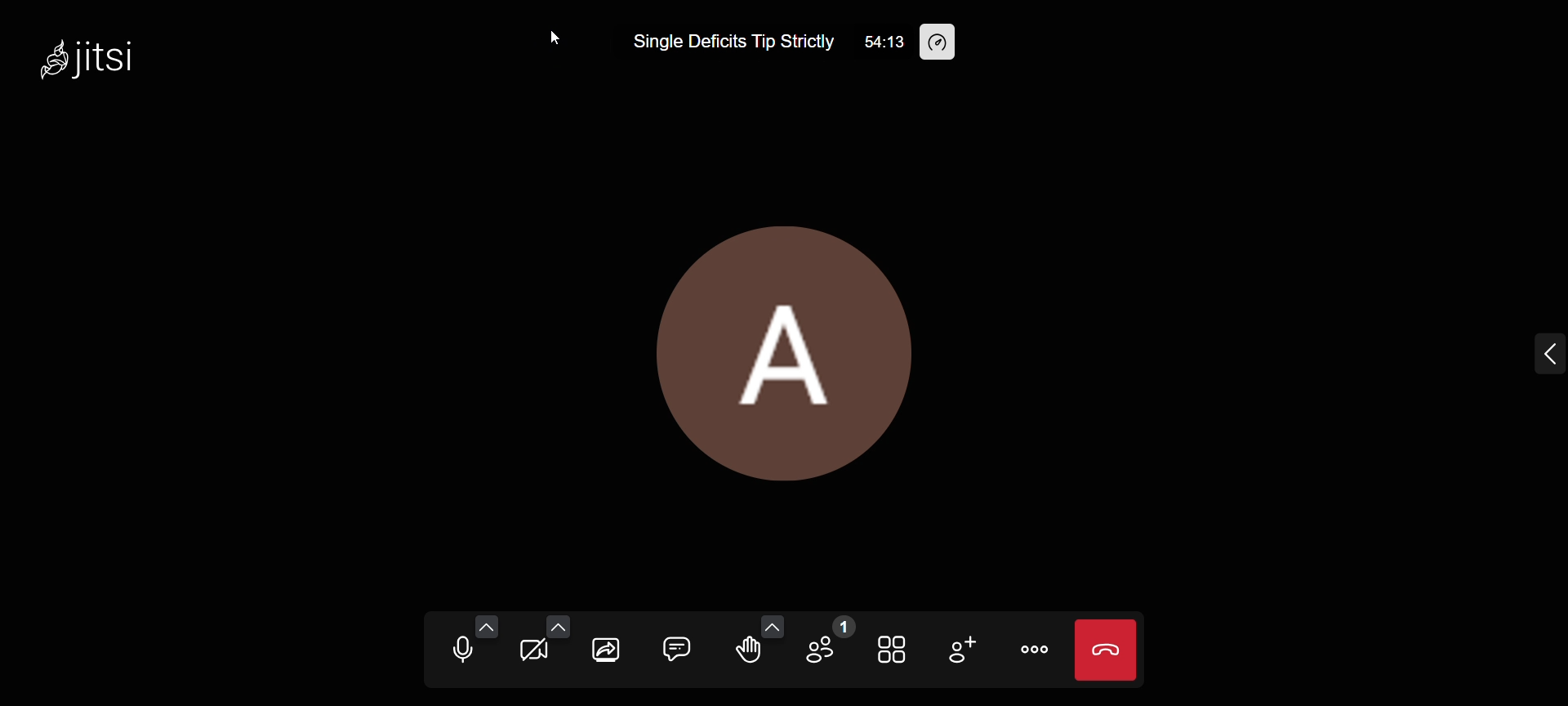  What do you see at coordinates (104, 64) in the screenshot?
I see `jitsi` at bounding box center [104, 64].